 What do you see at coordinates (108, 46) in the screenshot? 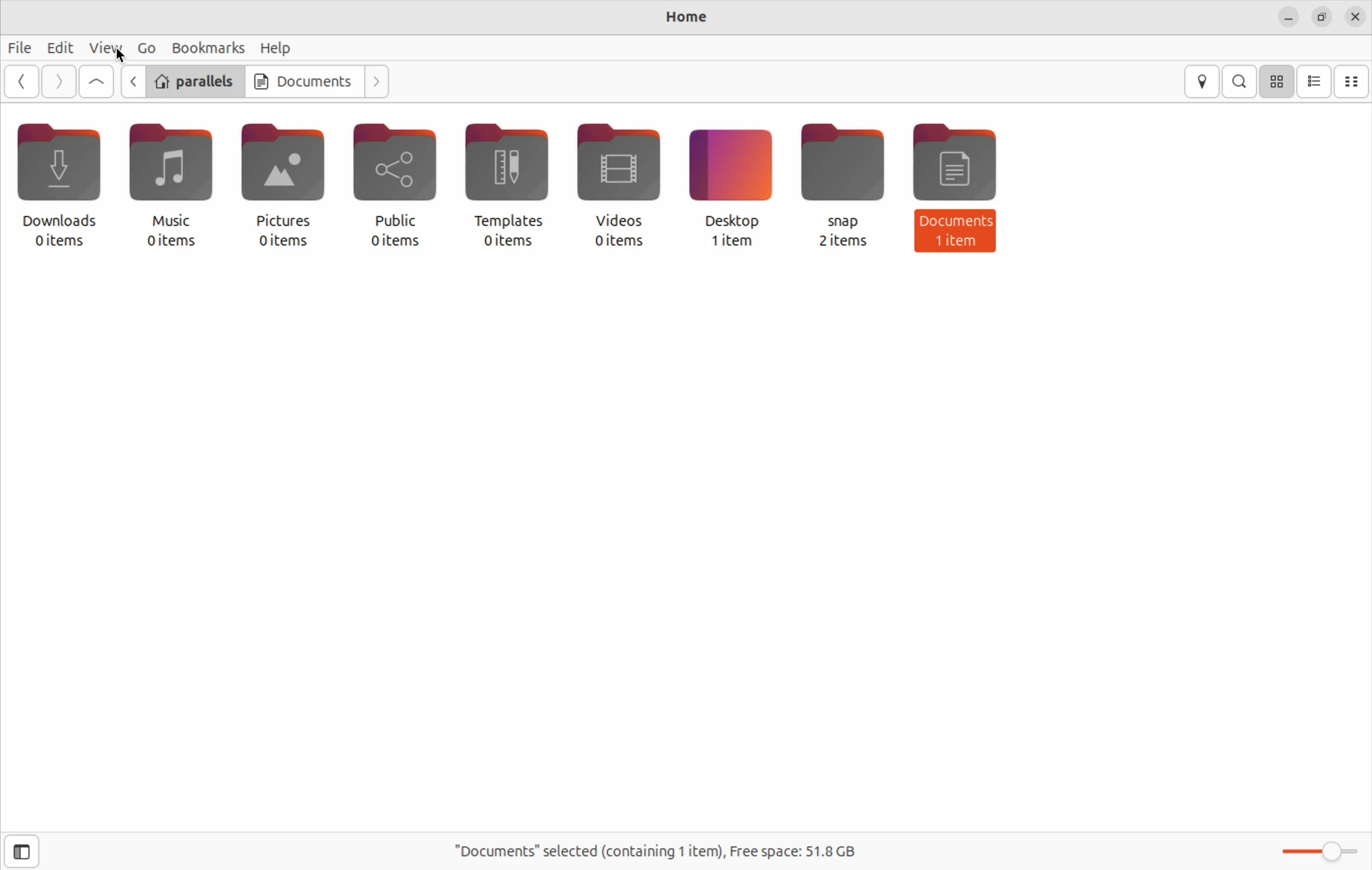
I see `View` at bounding box center [108, 46].